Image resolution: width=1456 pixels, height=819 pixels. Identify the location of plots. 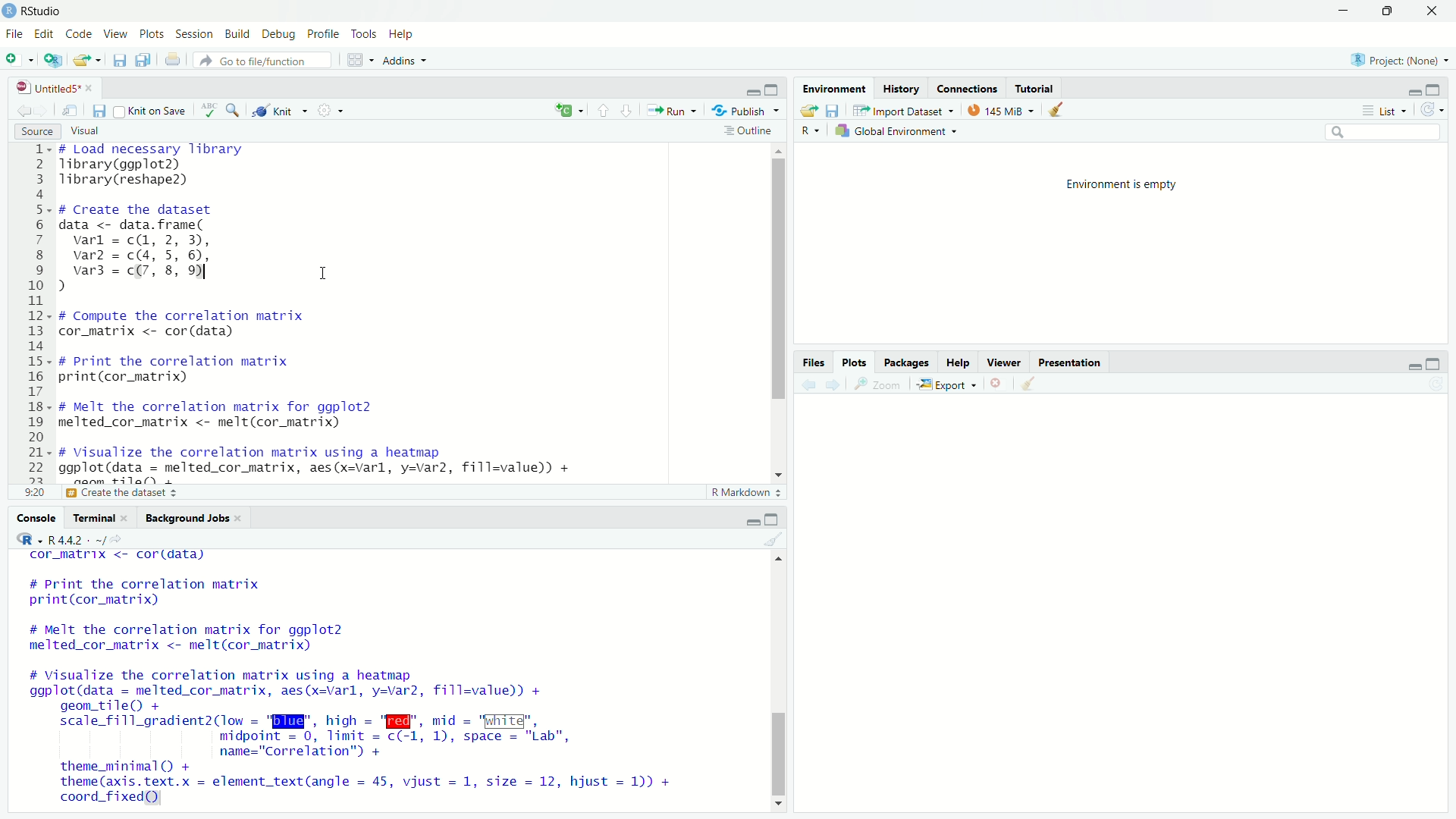
(152, 34).